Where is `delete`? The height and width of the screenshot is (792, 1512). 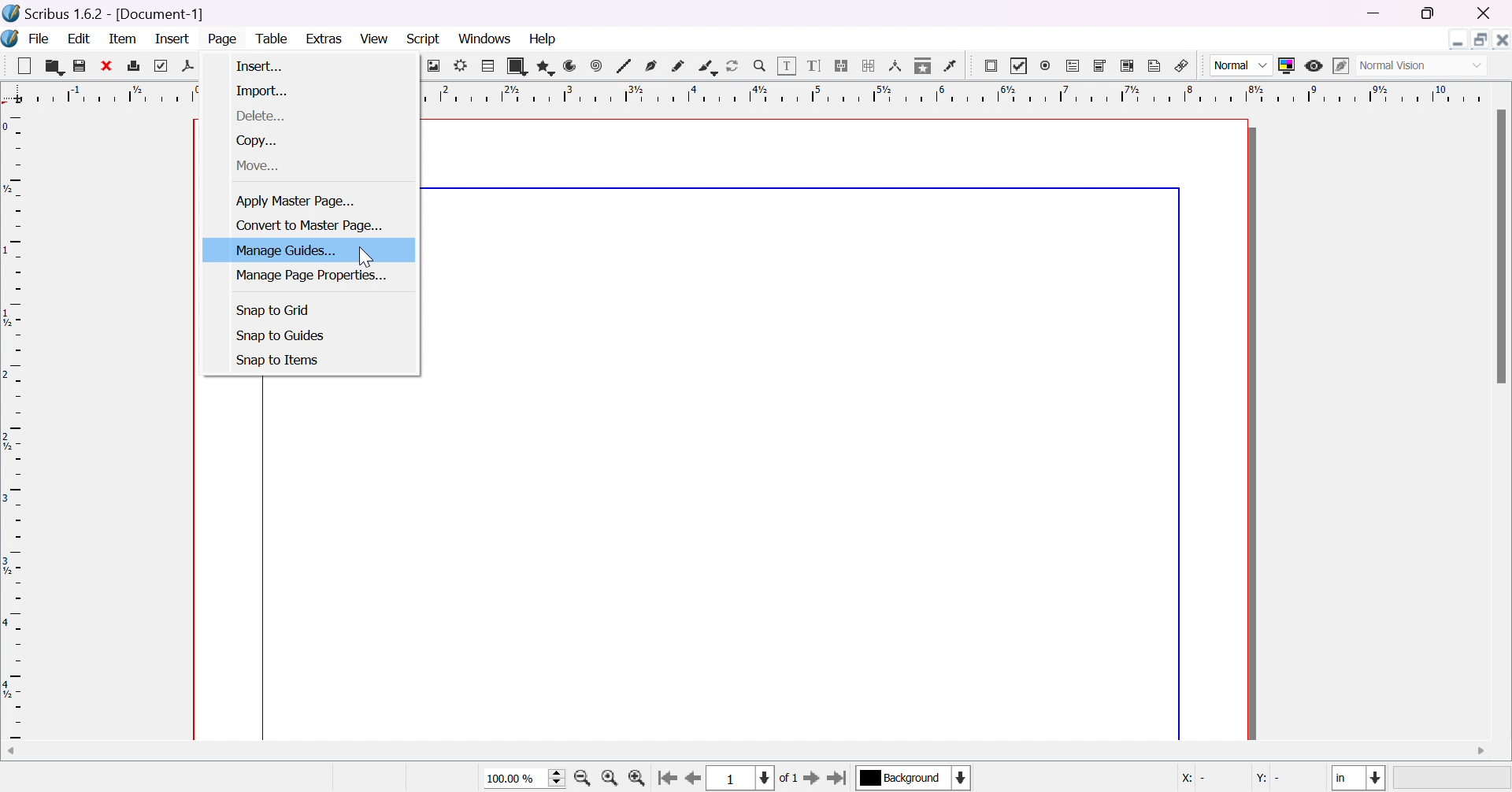
delete is located at coordinates (265, 114).